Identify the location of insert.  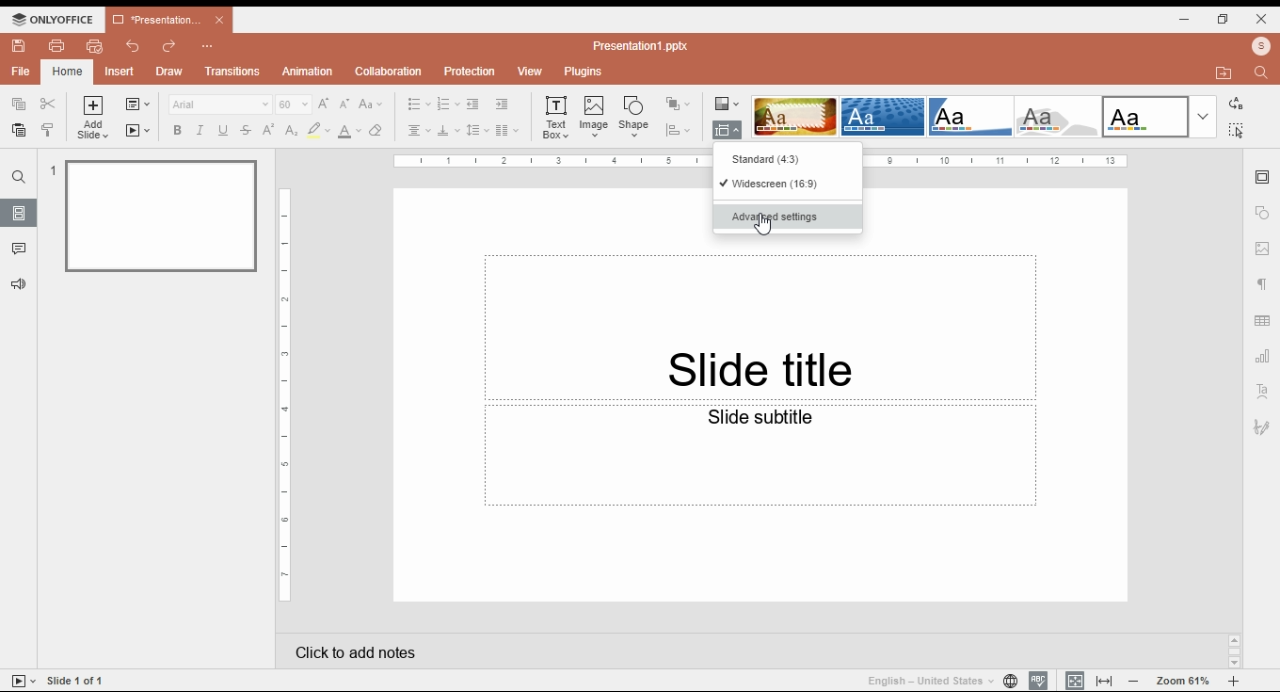
(120, 72).